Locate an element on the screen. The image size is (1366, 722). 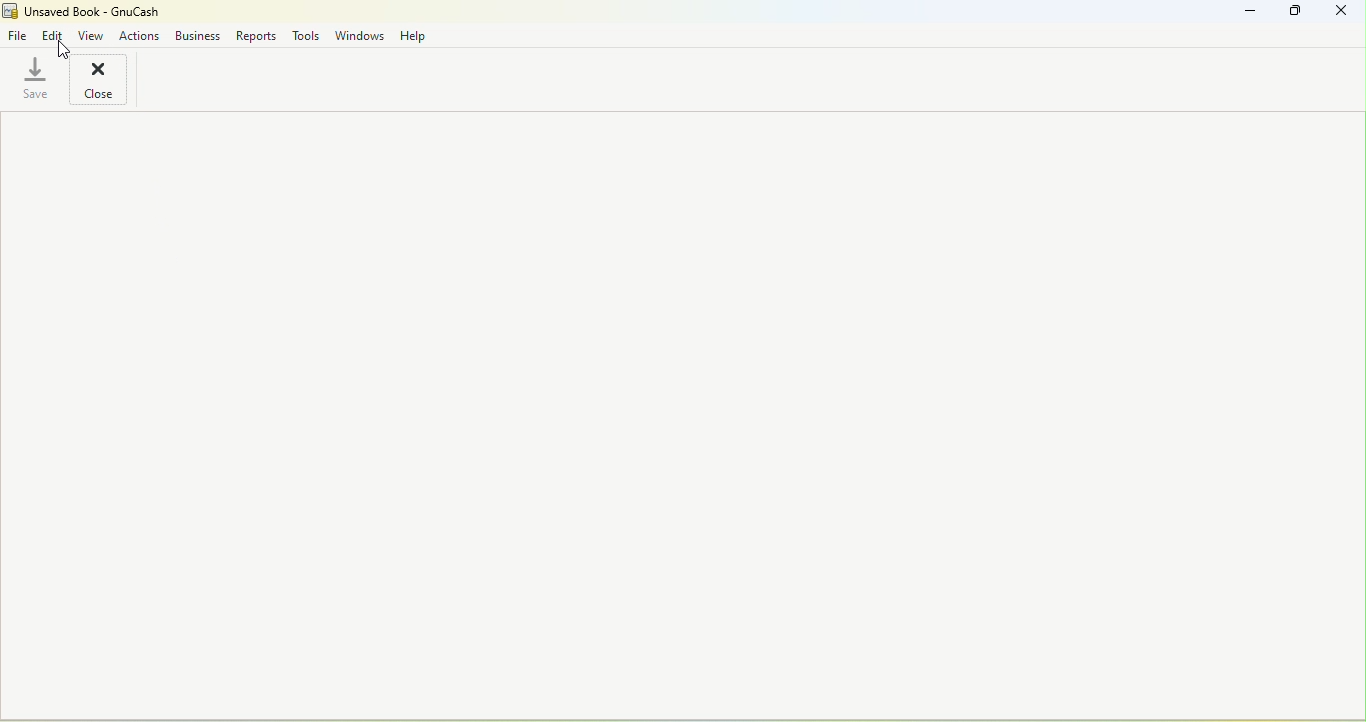
Cursor is located at coordinates (64, 52).